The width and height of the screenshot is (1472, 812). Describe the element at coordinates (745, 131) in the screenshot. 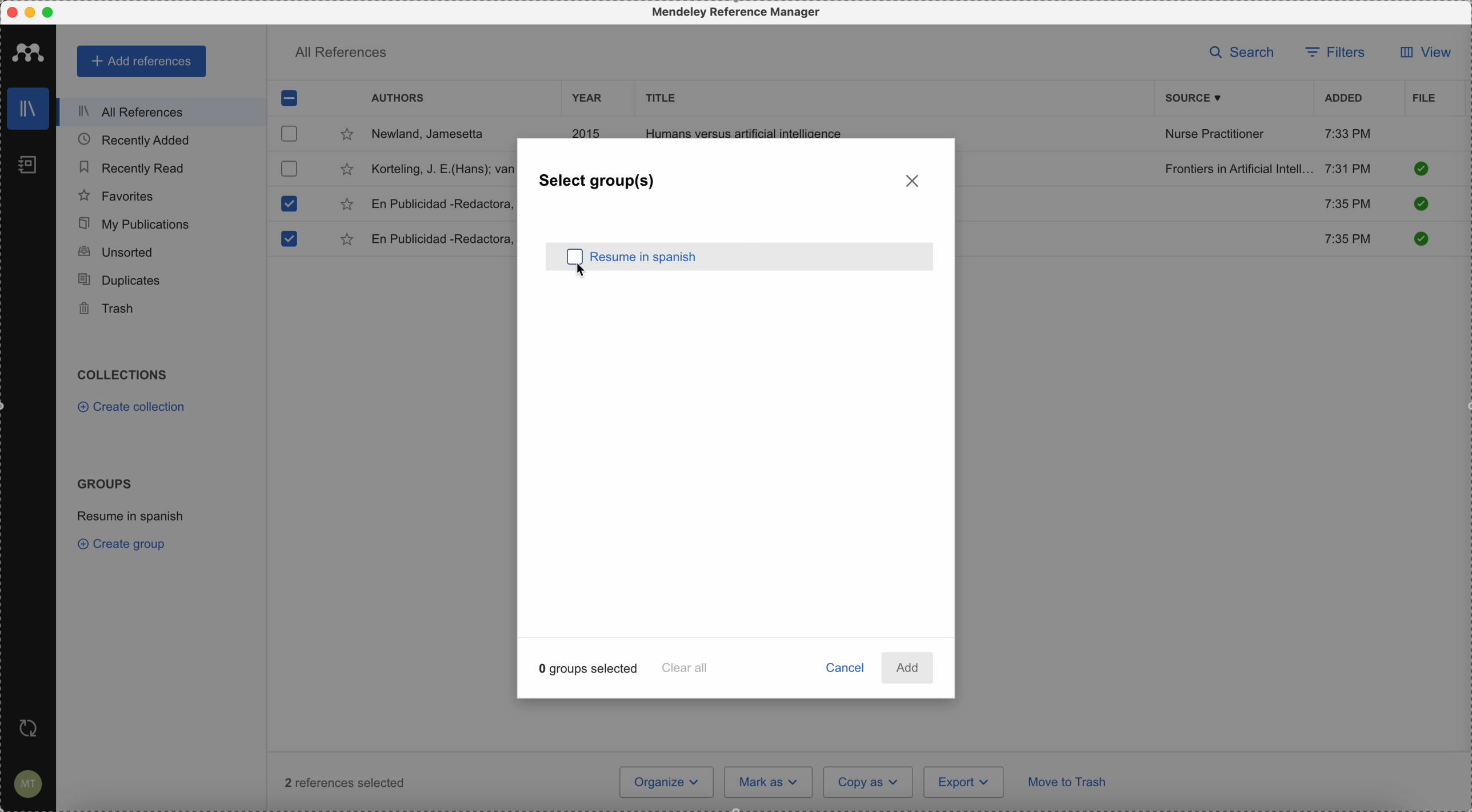

I see `Humans versus artificial intelligence` at that location.